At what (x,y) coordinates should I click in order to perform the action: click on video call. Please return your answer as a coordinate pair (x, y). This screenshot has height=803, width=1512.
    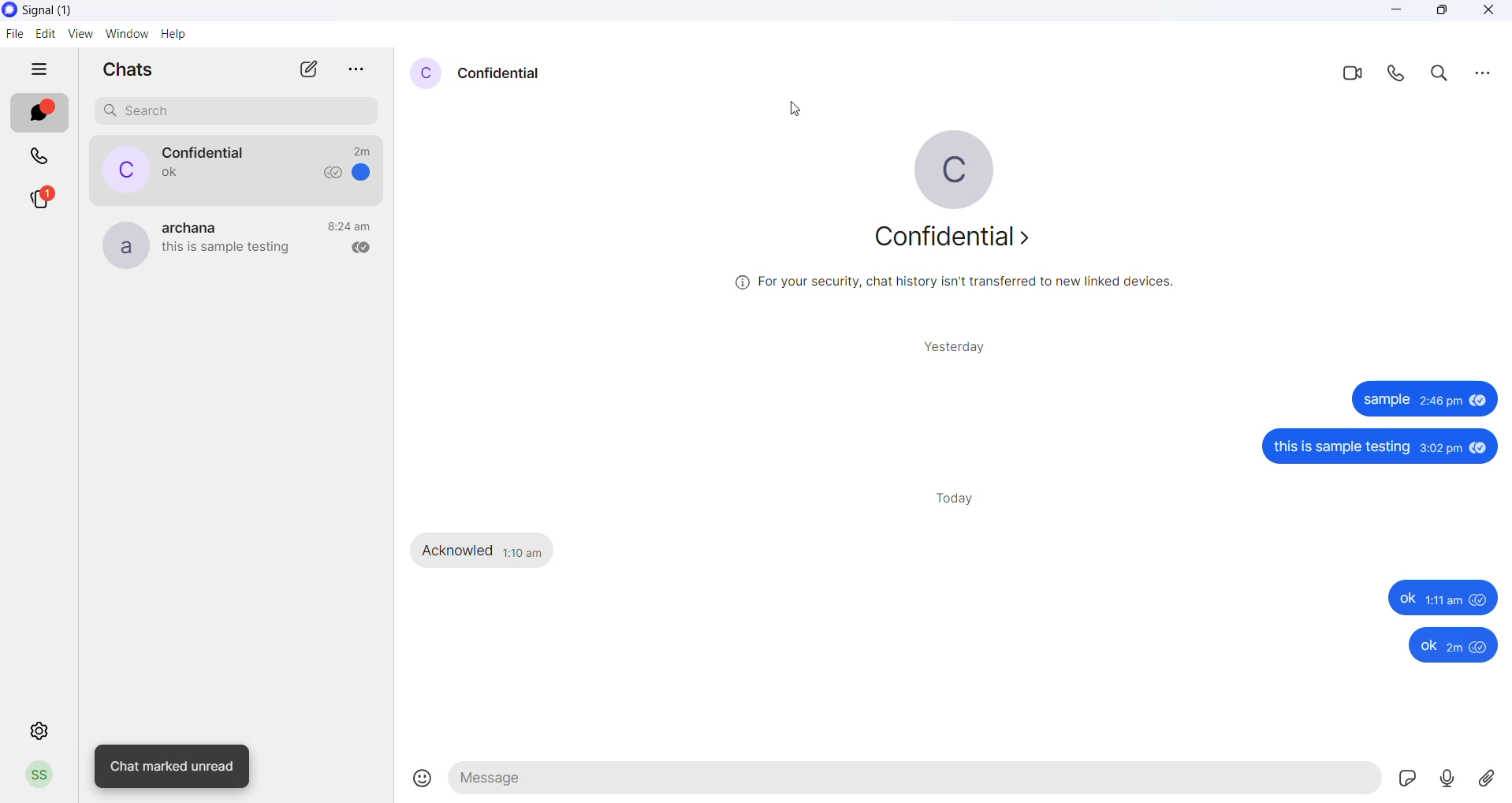
    Looking at the image, I should click on (1343, 75).